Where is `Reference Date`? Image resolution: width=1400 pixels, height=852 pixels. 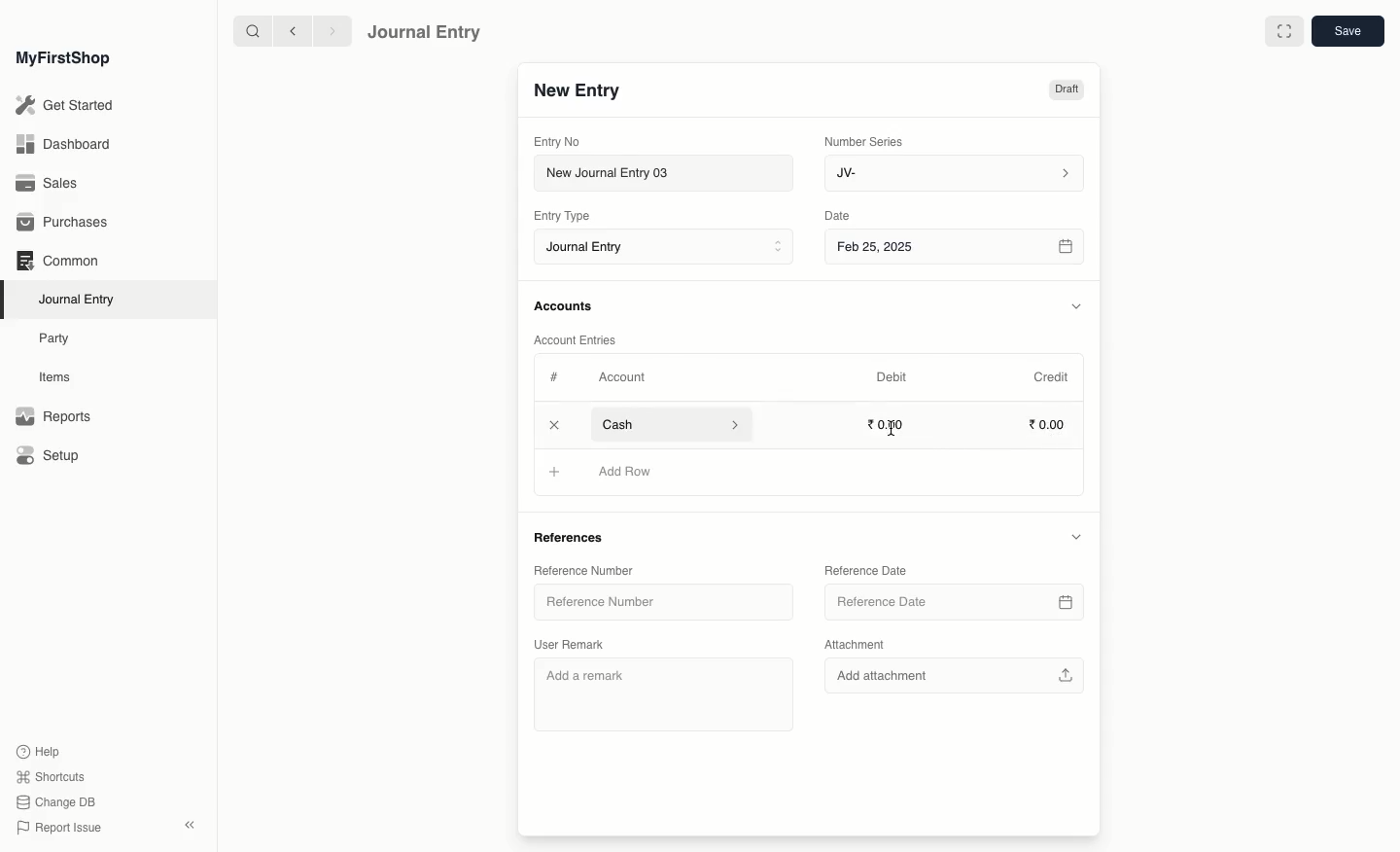
Reference Date is located at coordinates (954, 601).